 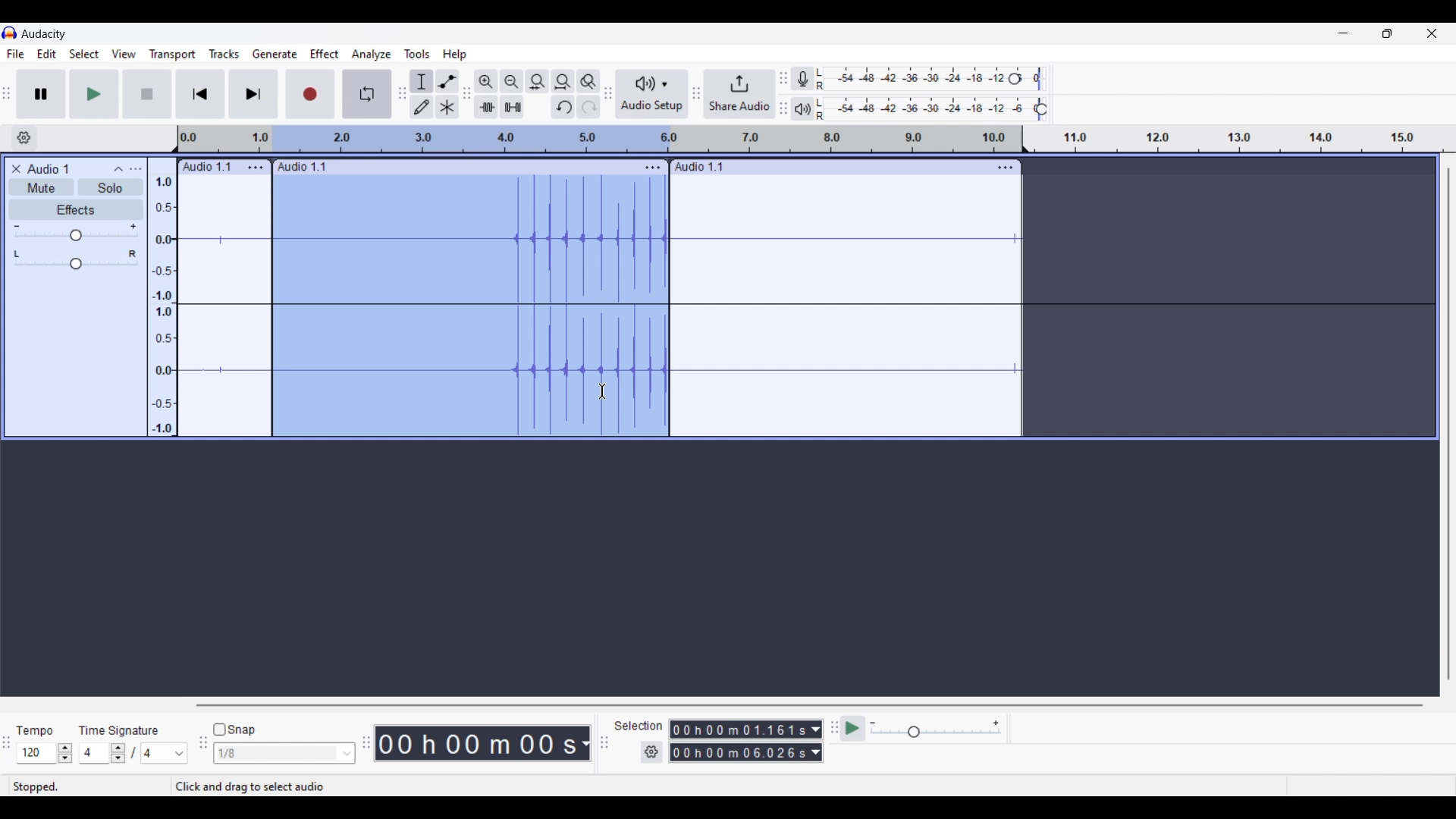 I want to click on Open menu, so click(x=135, y=169).